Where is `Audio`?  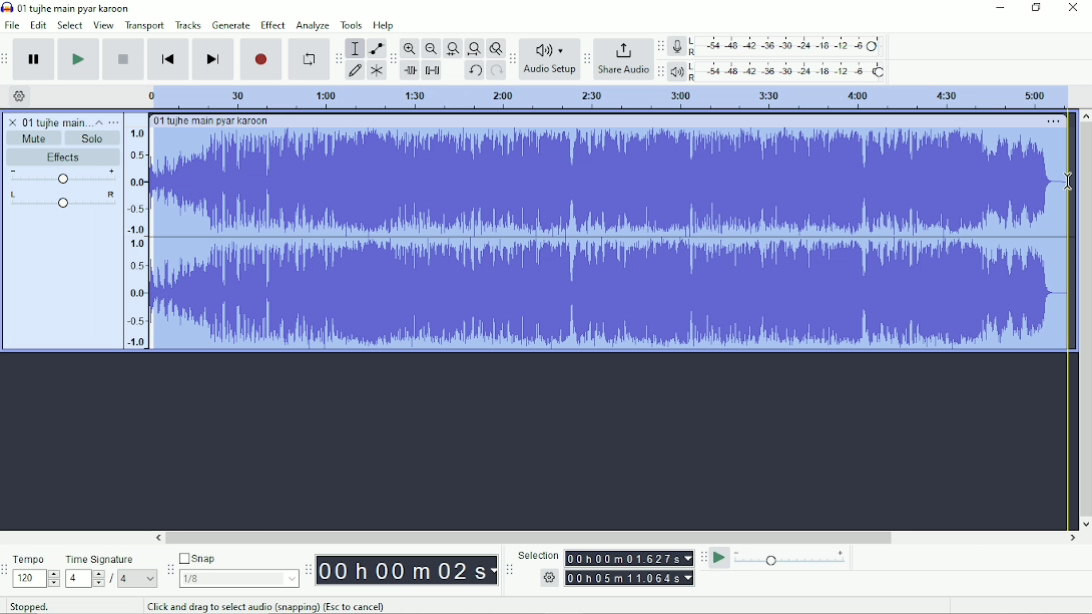
Audio is located at coordinates (612, 238).